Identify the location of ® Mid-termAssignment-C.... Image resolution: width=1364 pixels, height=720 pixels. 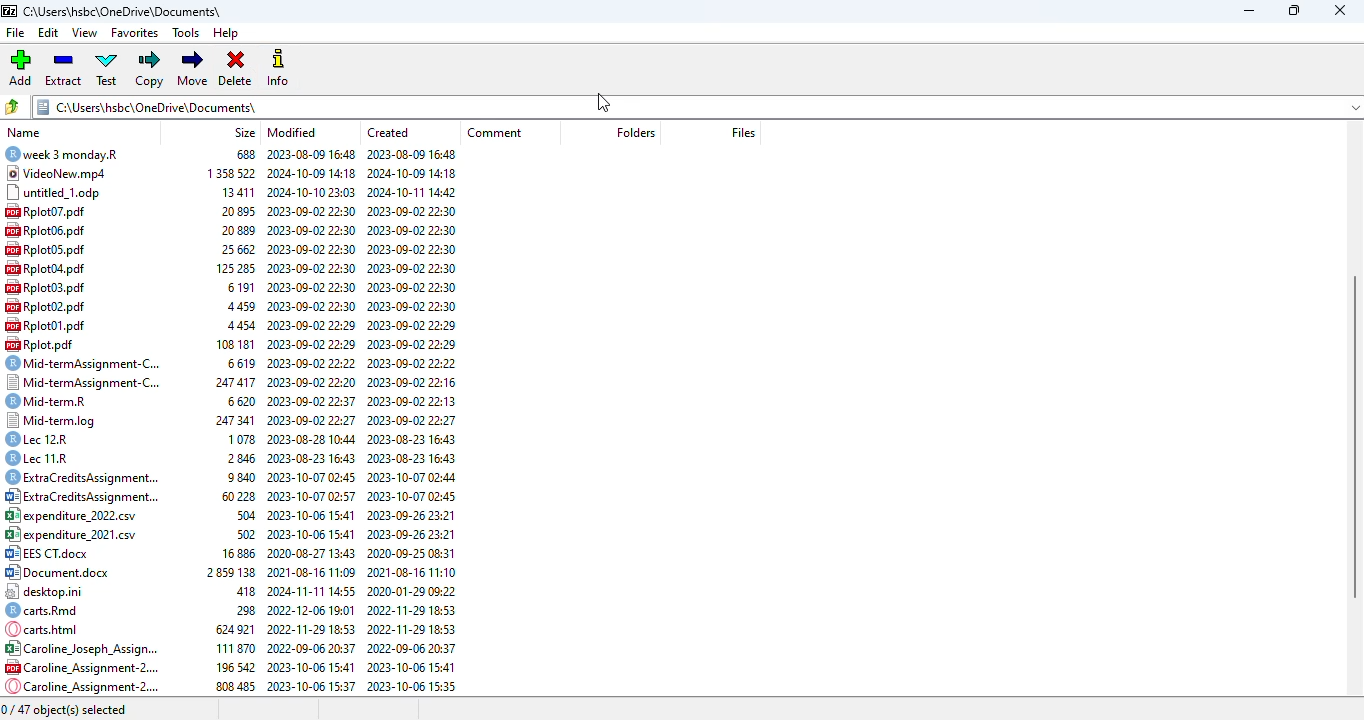
(88, 364).